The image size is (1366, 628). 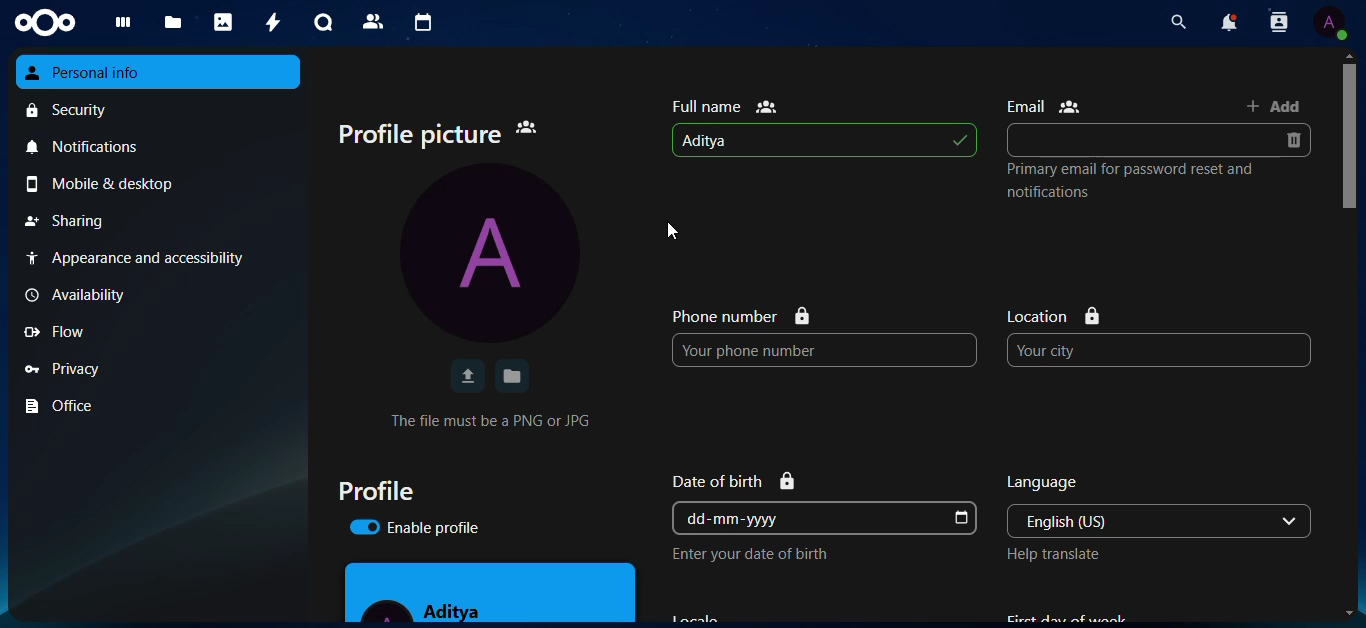 I want to click on cursor, so click(x=673, y=231).